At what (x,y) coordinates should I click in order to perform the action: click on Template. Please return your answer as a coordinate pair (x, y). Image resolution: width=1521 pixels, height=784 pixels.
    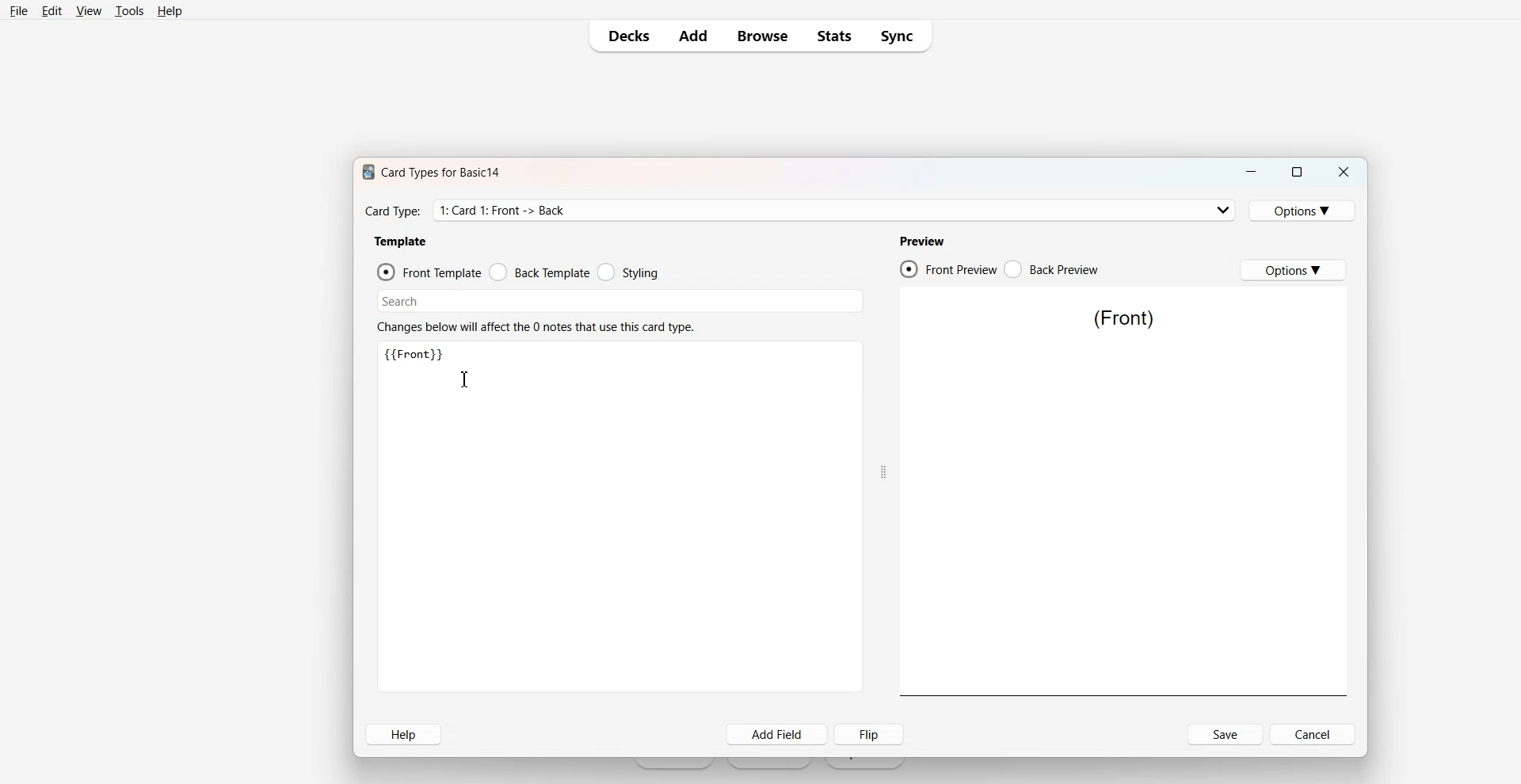
    Looking at the image, I should click on (402, 242).